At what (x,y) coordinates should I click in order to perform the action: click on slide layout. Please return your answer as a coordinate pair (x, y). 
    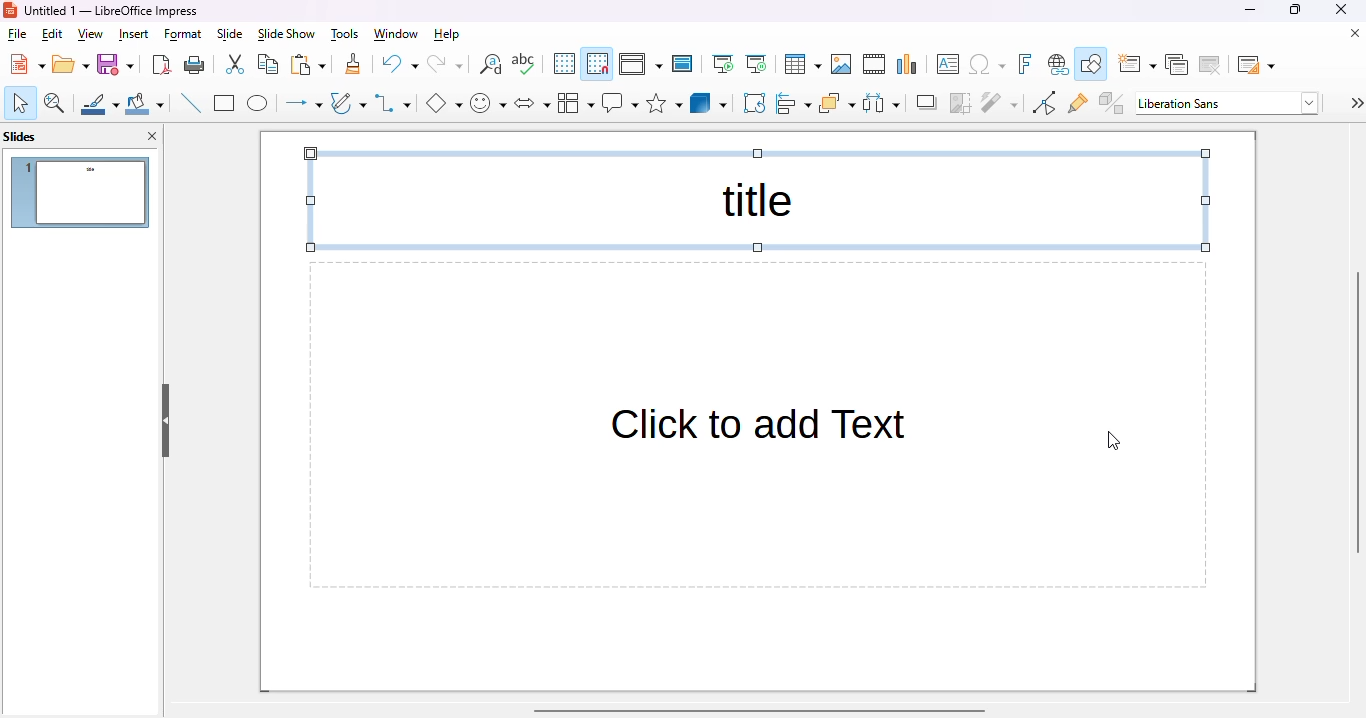
    Looking at the image, I should click on (1256, 65).